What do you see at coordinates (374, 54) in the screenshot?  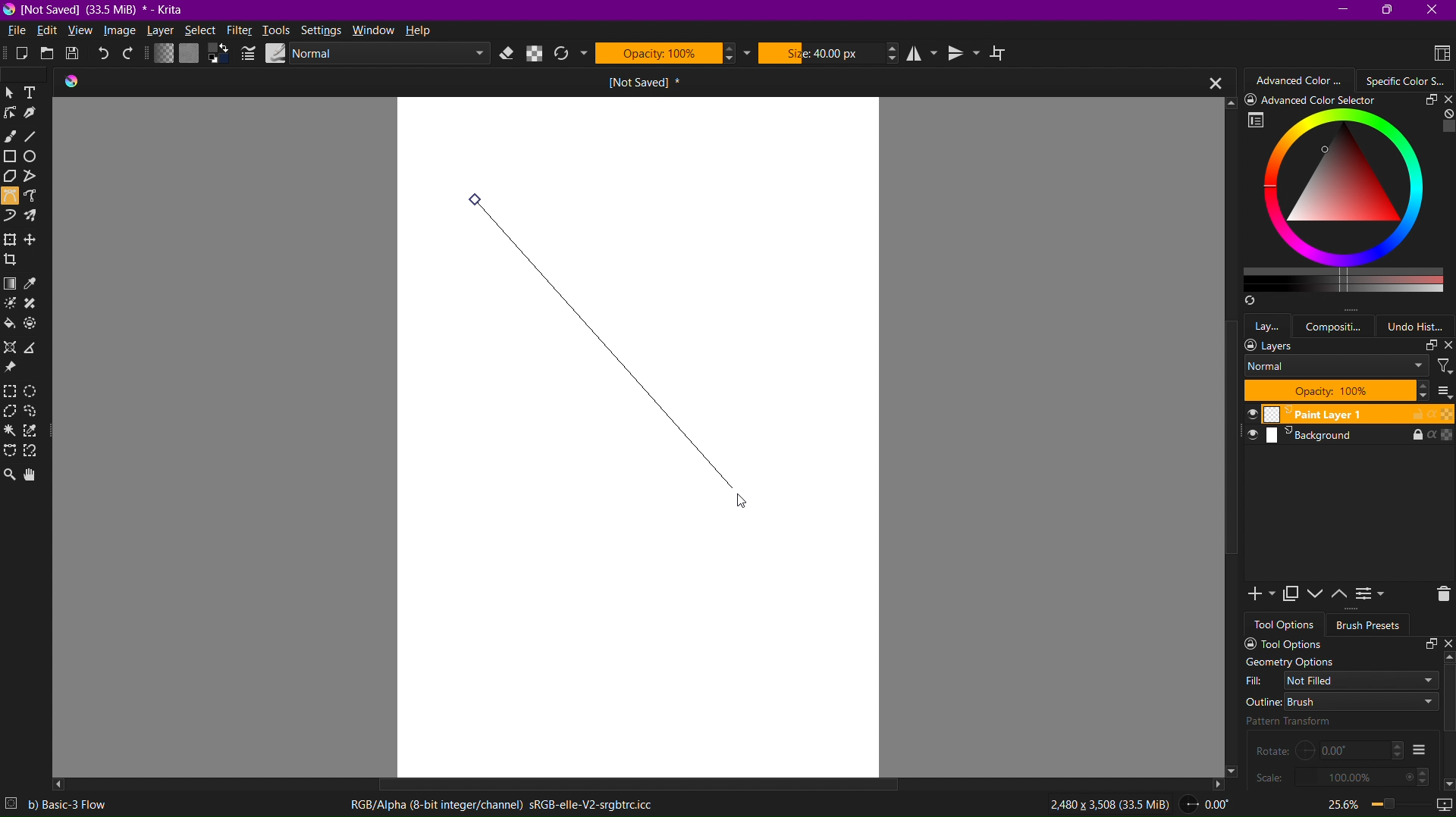 I see `Blending Mode` at bounding box center [374, 54].